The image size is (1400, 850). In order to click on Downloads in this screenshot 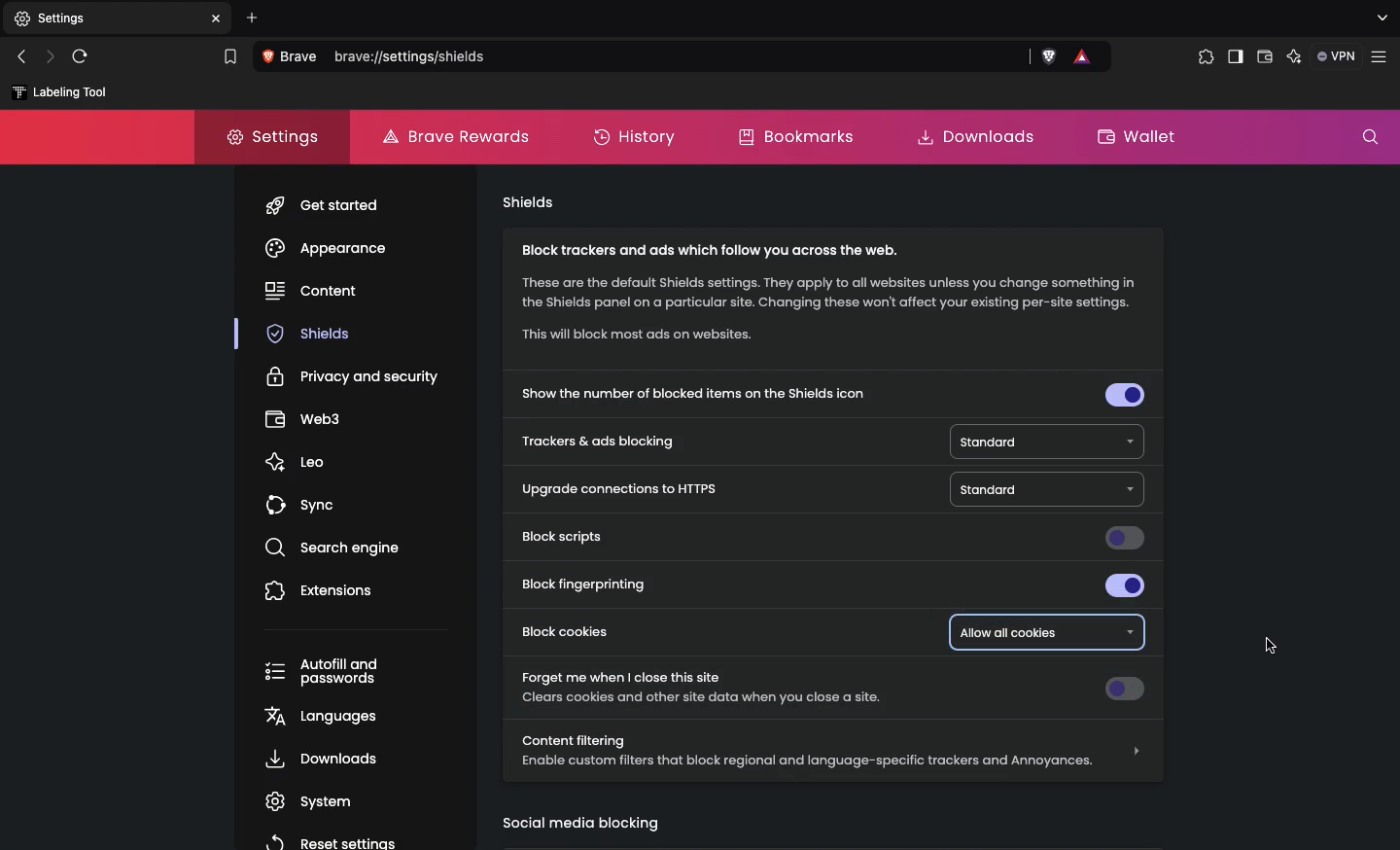, I will do `click(980, 139)`.